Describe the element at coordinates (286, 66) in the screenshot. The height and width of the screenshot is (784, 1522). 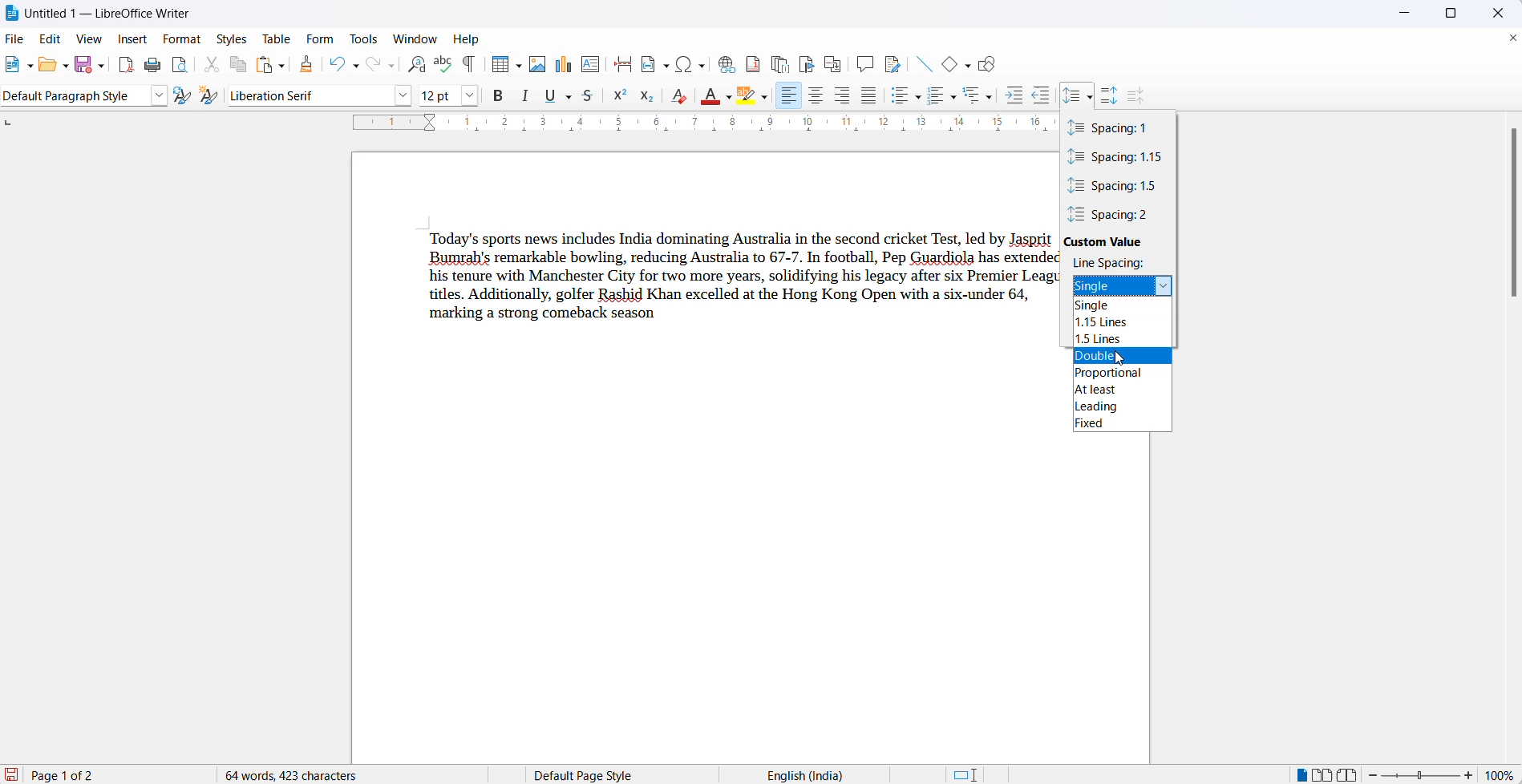
I see `paste options` at that location.